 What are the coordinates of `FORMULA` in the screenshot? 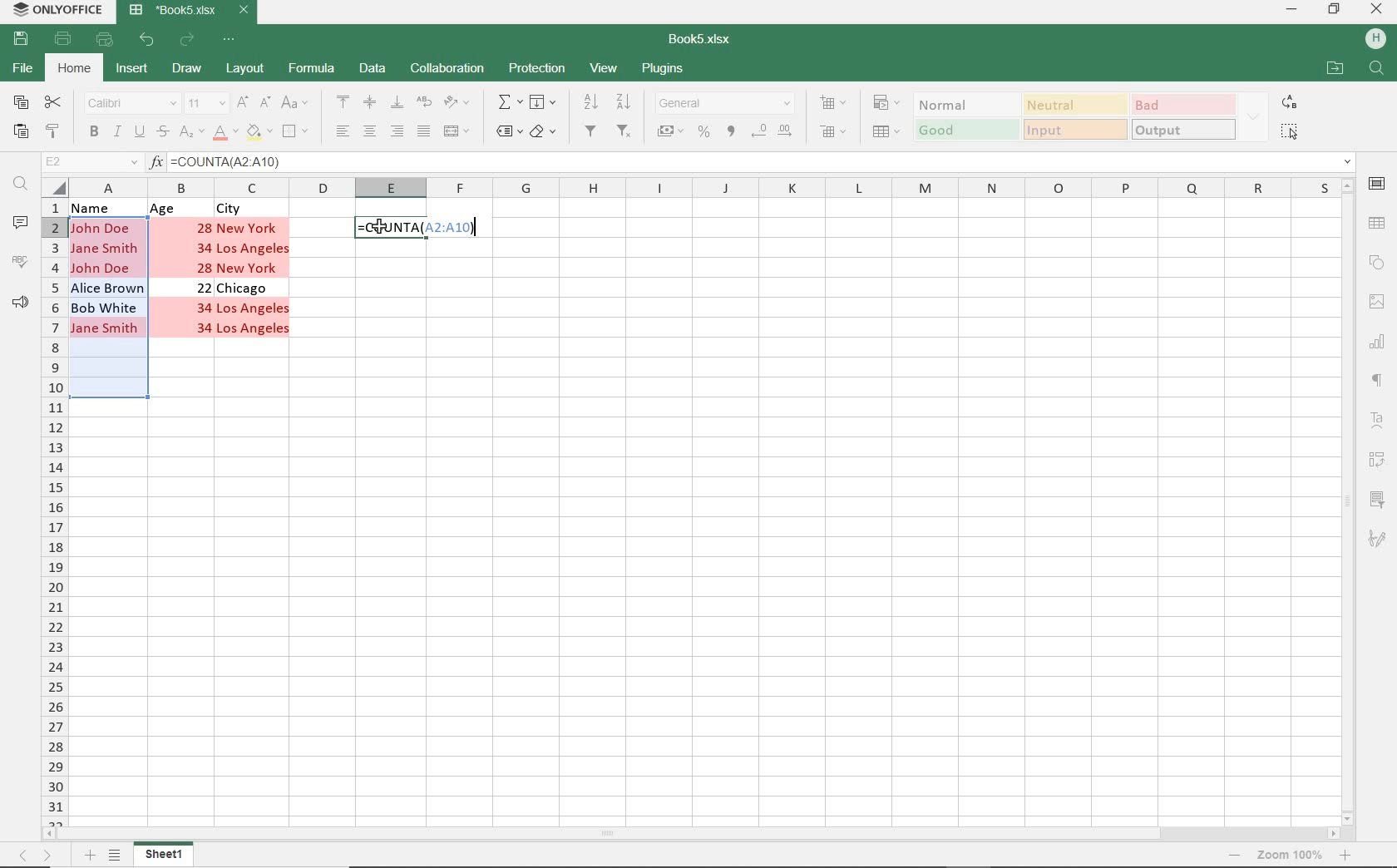 It's located at (419, 228).